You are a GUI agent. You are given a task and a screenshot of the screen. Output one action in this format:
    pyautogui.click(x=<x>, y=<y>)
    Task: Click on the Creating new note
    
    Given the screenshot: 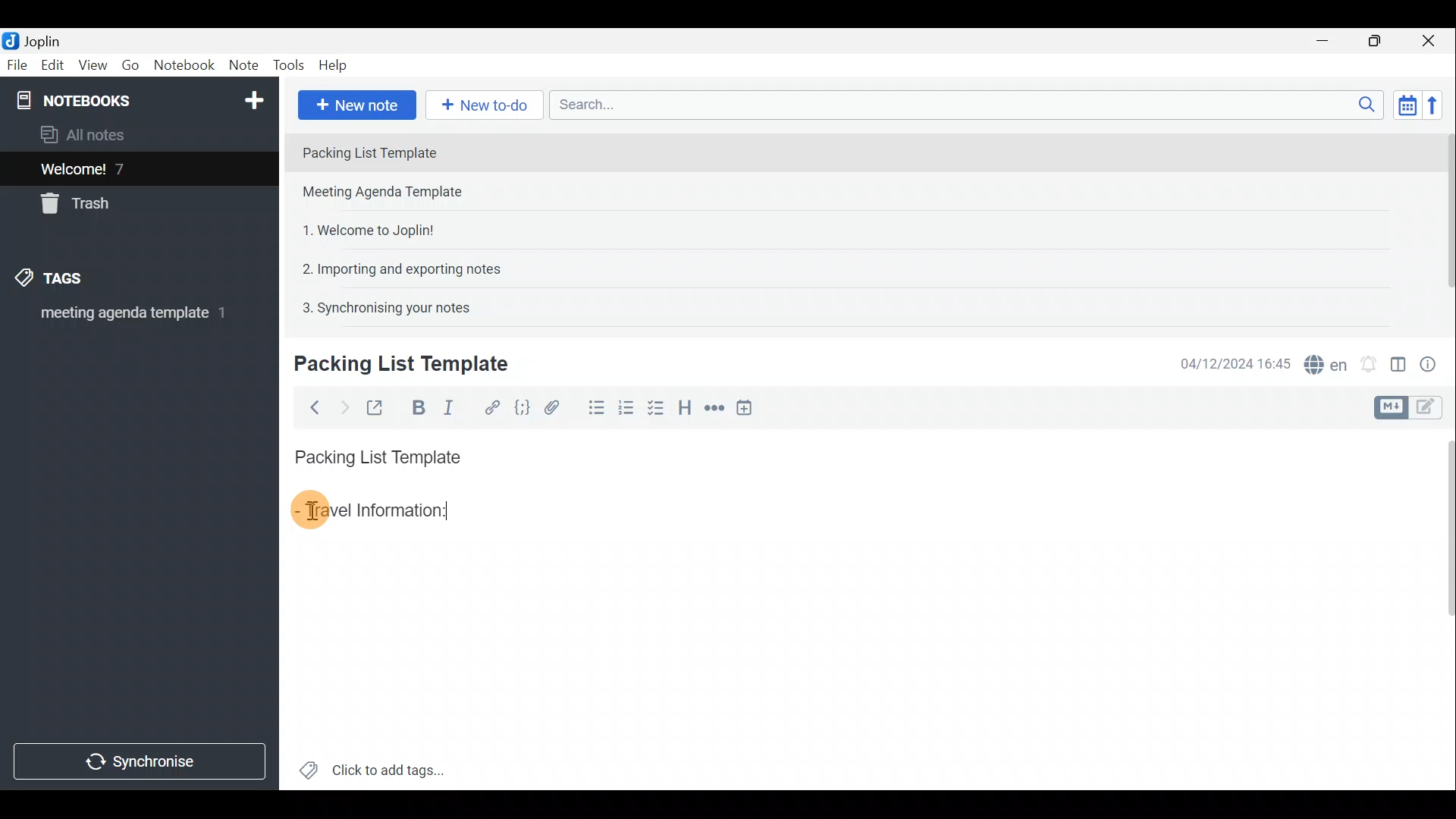 What is the action you would take?
    pyautogui.click(x=392, y=365)
    